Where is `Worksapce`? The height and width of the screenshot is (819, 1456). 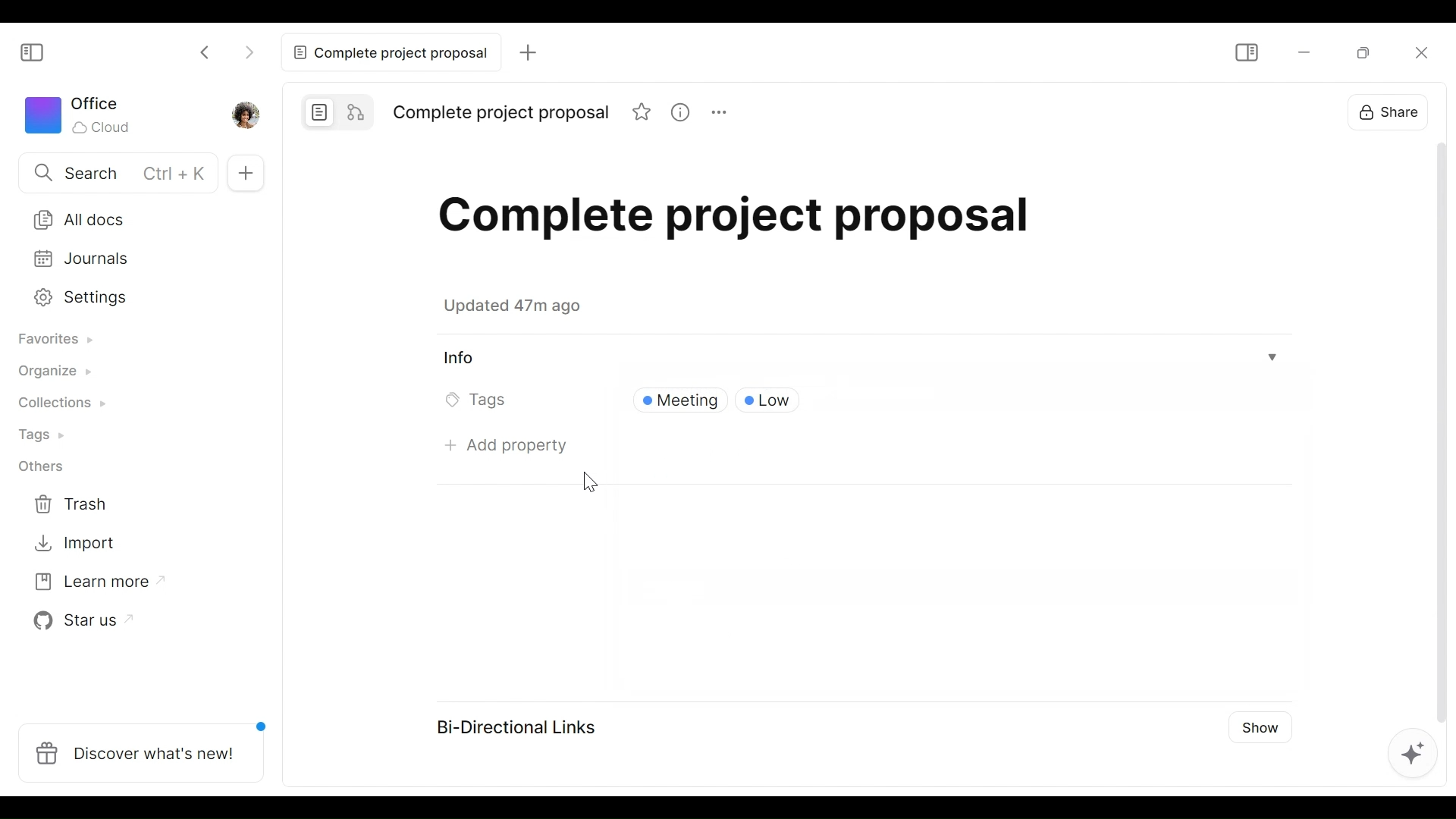
Worksapce is located at coordinates (85, 117).